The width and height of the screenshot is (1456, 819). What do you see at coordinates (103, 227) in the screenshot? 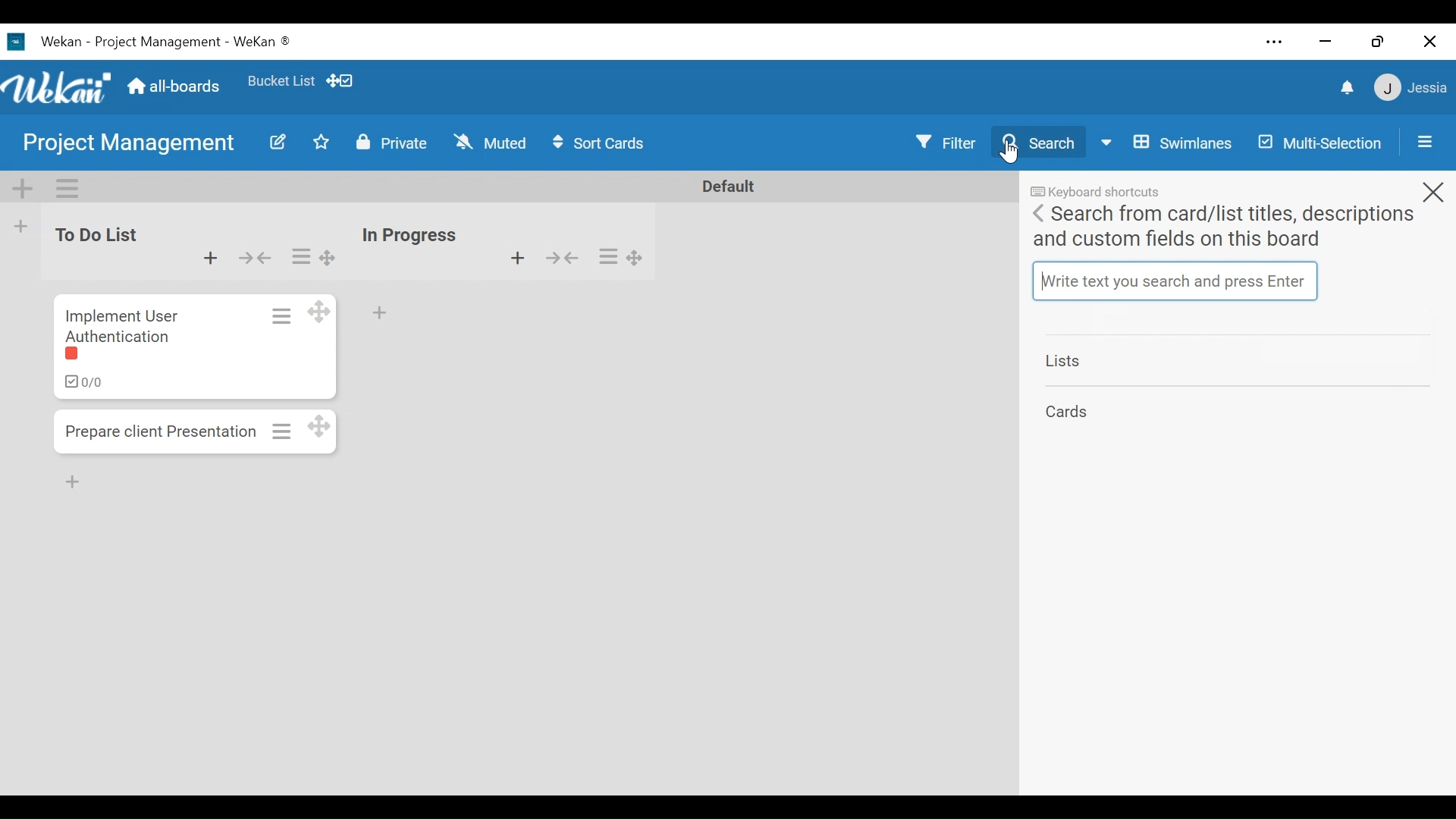
I see `to do list` at bounding box center [103, 227].